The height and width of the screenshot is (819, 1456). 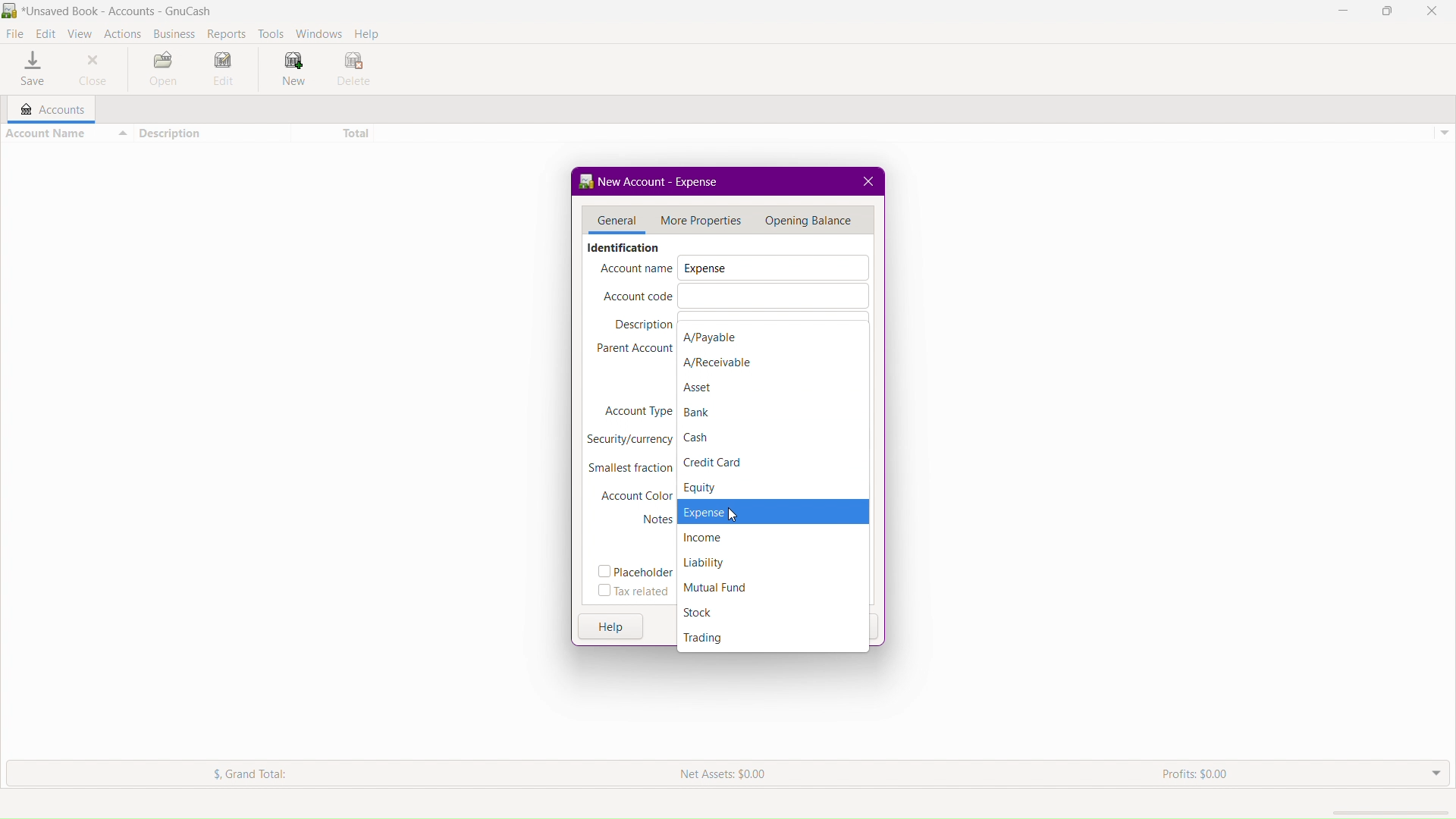 I want to click on Edit, so click(x=47, y=32).